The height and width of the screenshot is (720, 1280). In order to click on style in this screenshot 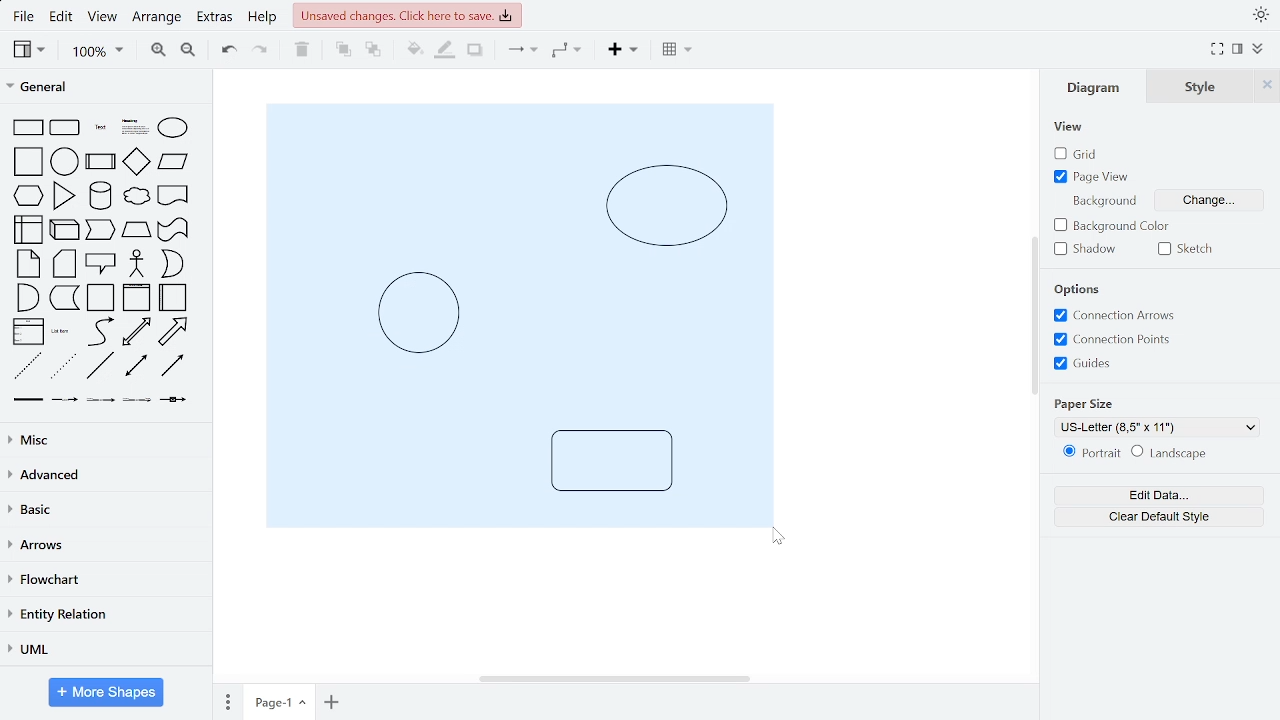, I will do `click(1205, 86)`.